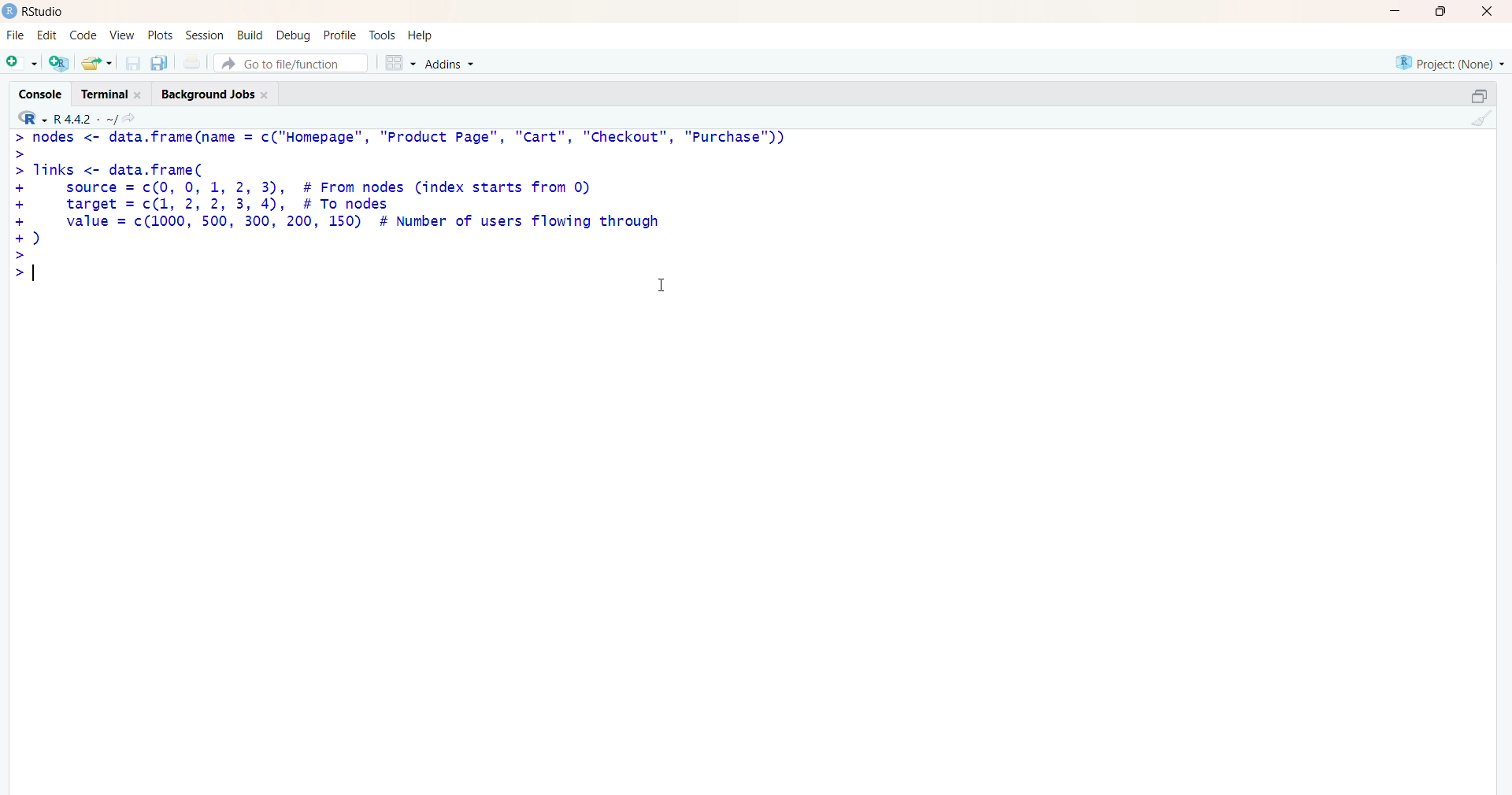  What do you see at coordinates (120, 35) in the screenshot?
I see `view` at bounding box center [120, 35].